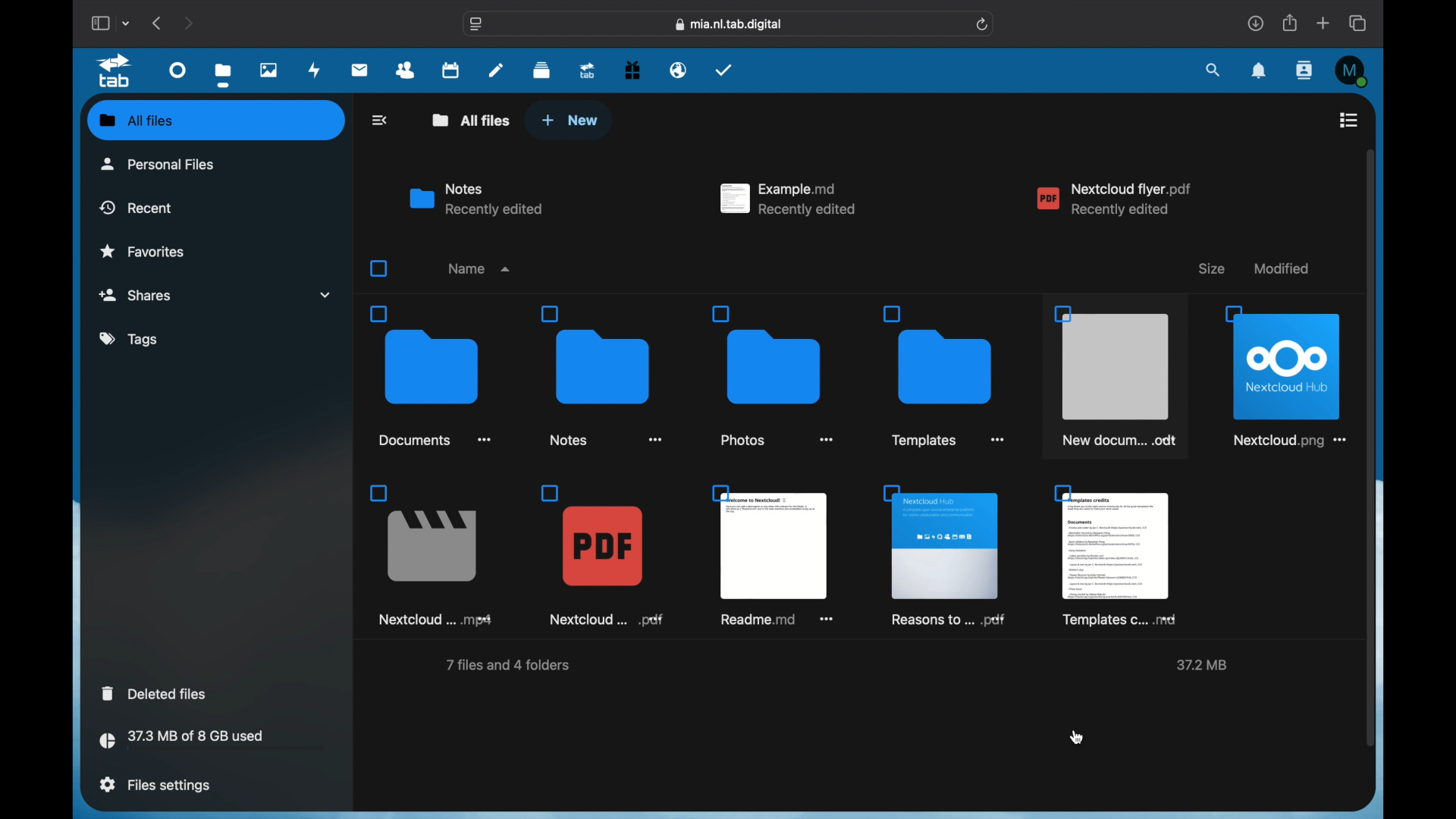  What do you see at coordinates (1306, 70) in the screenshot?
I see `contacts` at bounding box center [1306, 70].